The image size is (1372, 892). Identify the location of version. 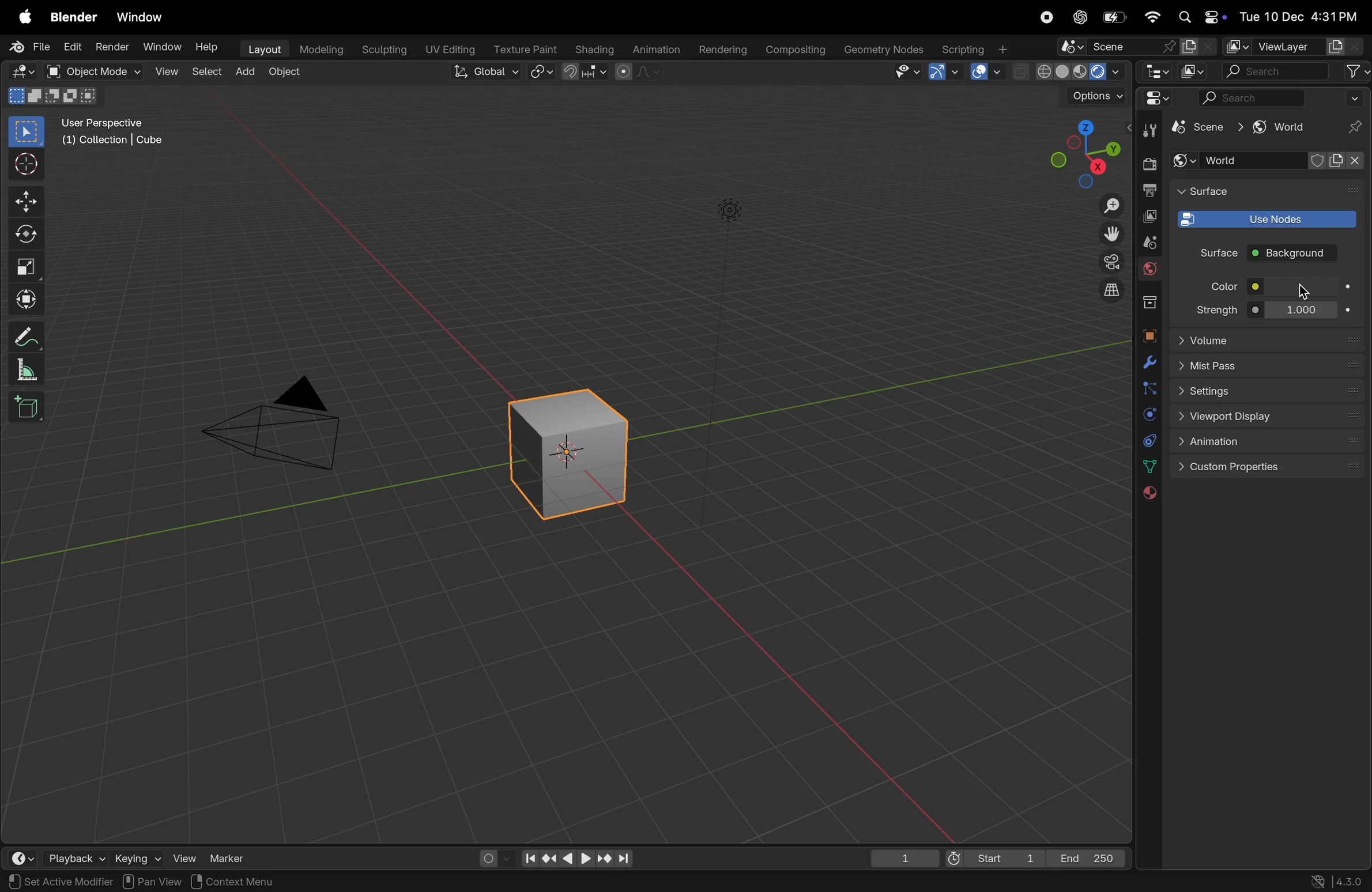
(1342, 881).